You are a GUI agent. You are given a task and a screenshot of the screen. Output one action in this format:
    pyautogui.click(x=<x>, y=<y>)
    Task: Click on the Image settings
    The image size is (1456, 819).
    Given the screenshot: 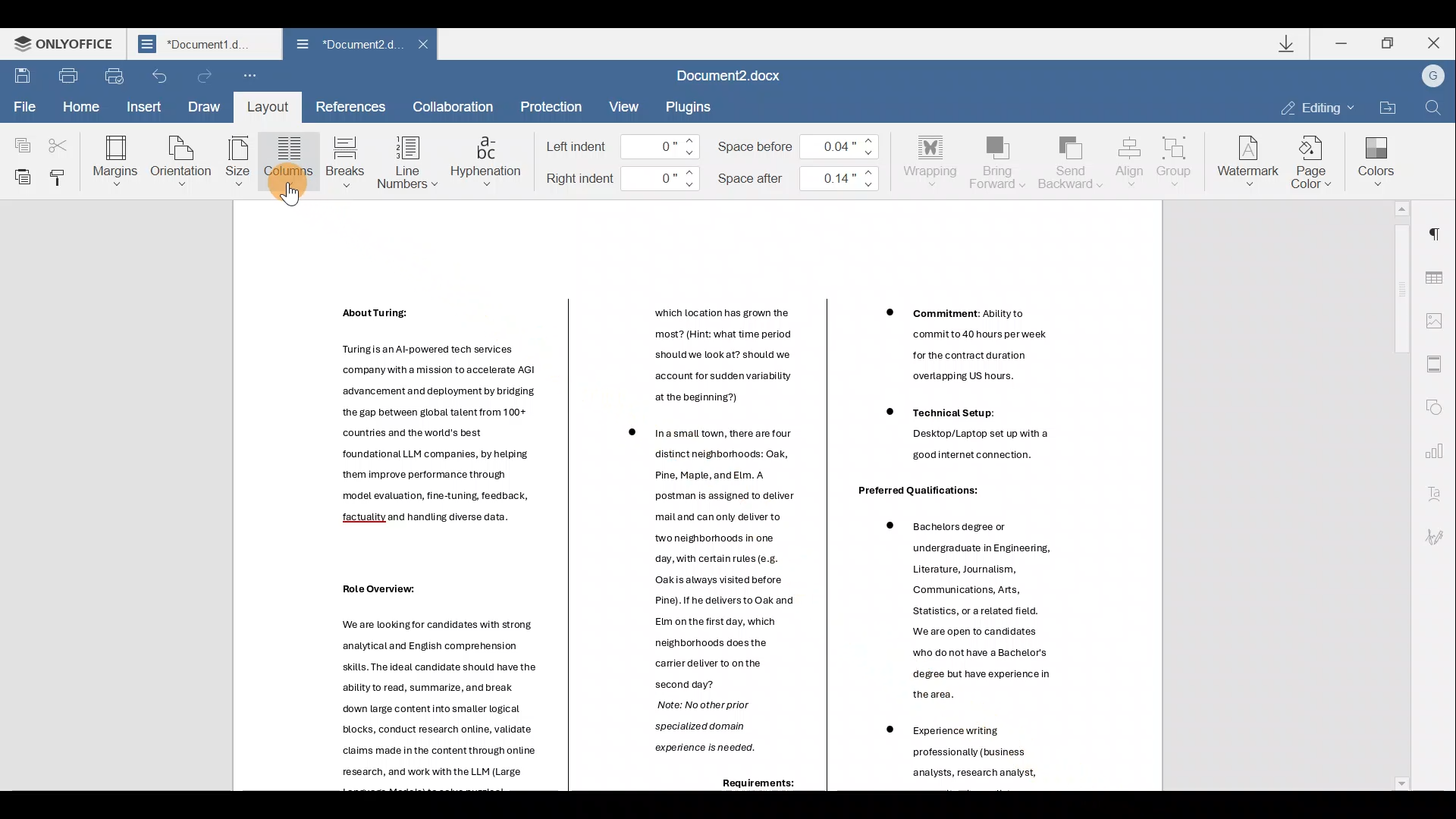 What is the action you would take?
    pyautogui.click(x=1439, y=319)
    